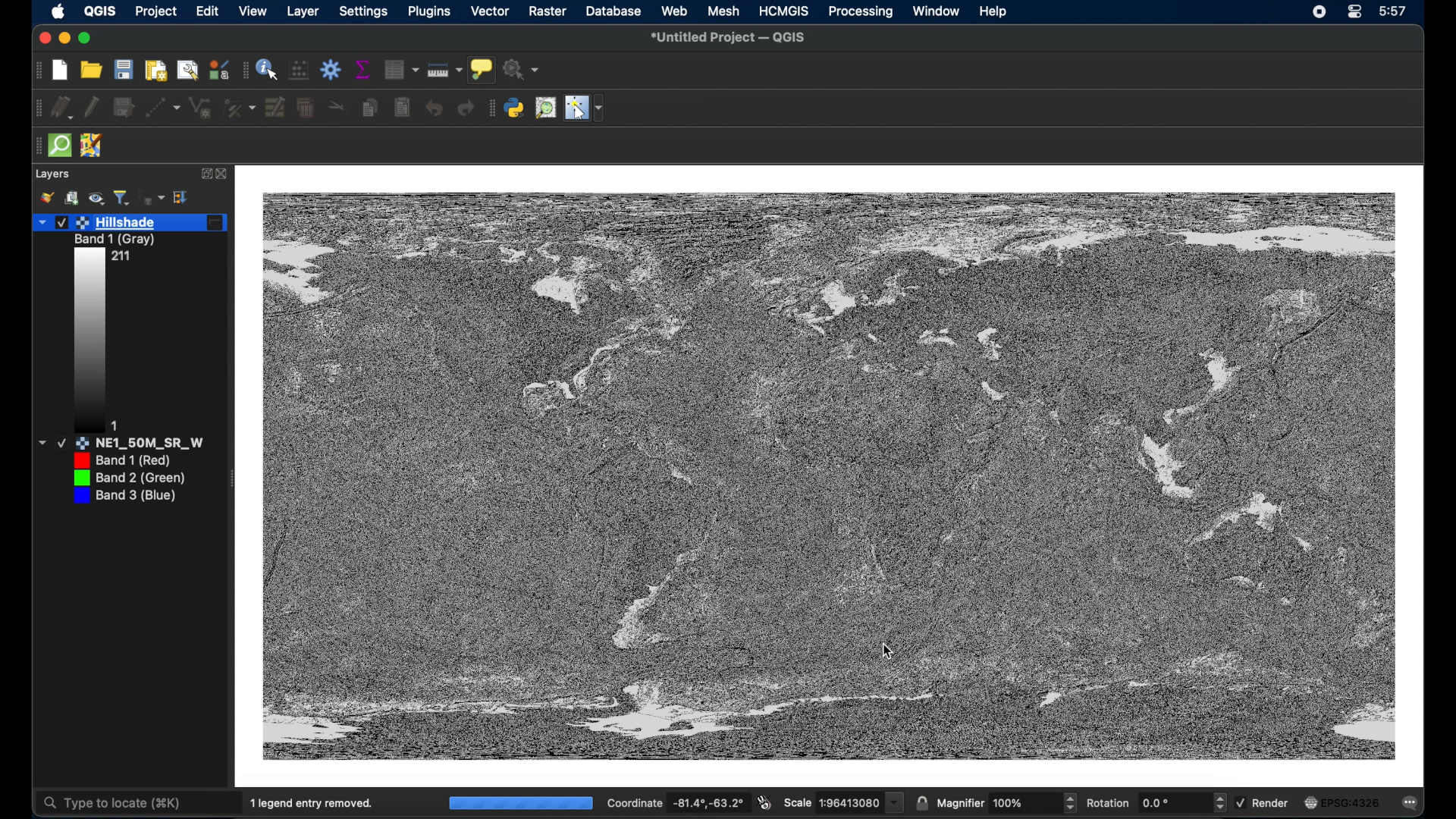 The height and width of the screenshot is (819, 1456). Describe the element at coordinates (331, 71) in the screenshot. I see `toolbar` at that location.